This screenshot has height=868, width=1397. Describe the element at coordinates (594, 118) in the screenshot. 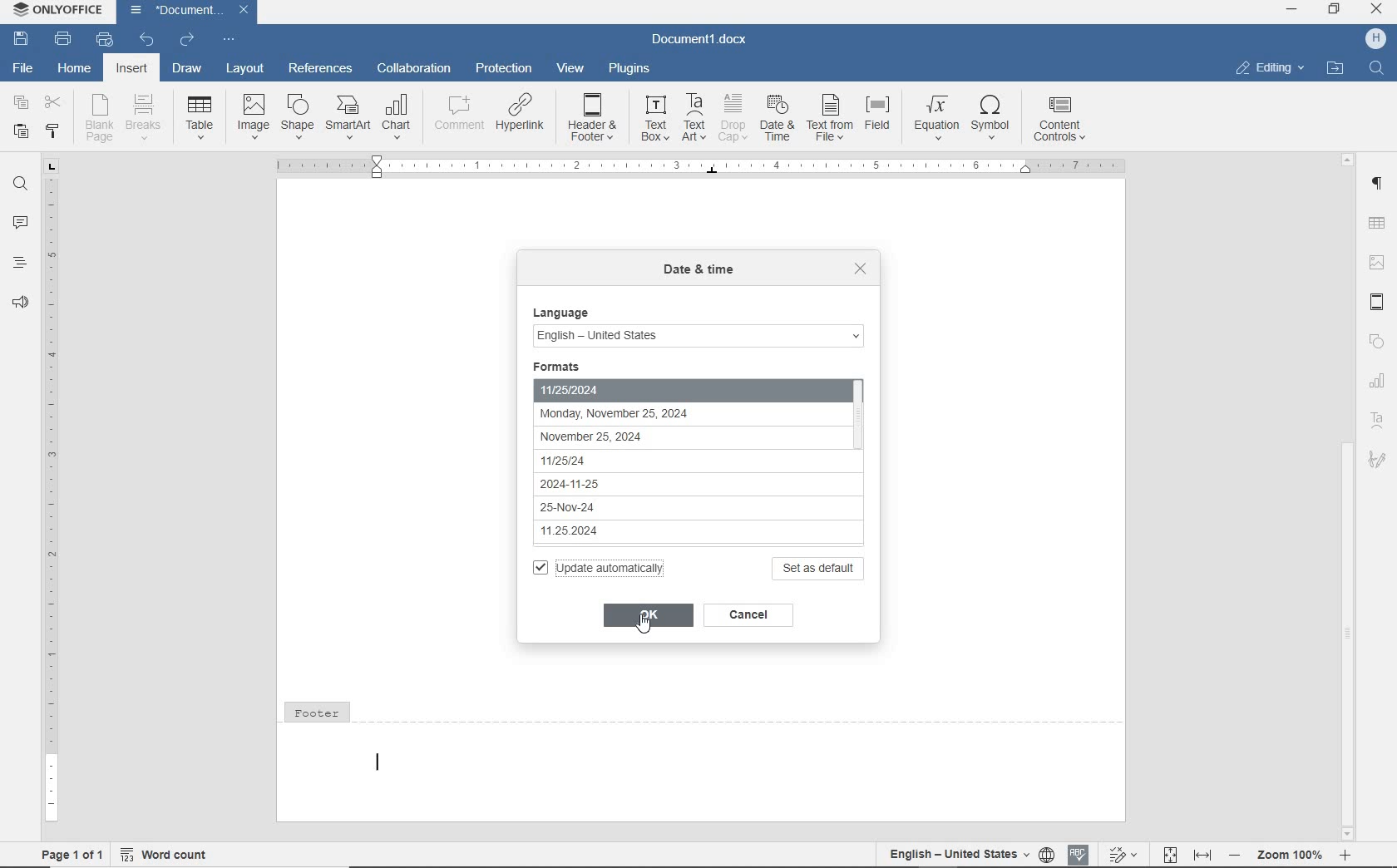

I see `header & footer` at that location.